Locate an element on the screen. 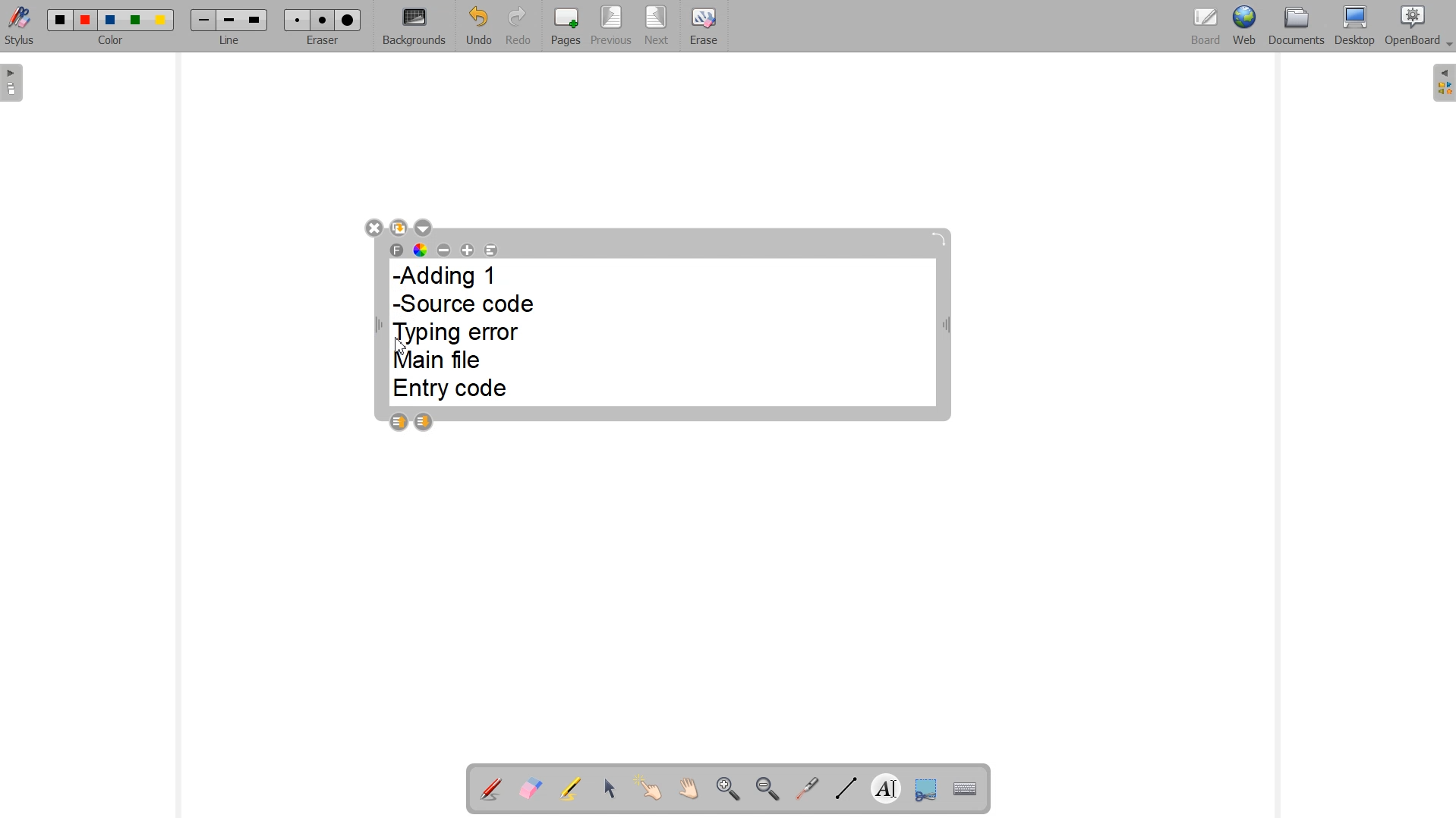  Erase annotation is located at coordinates (531, 788).